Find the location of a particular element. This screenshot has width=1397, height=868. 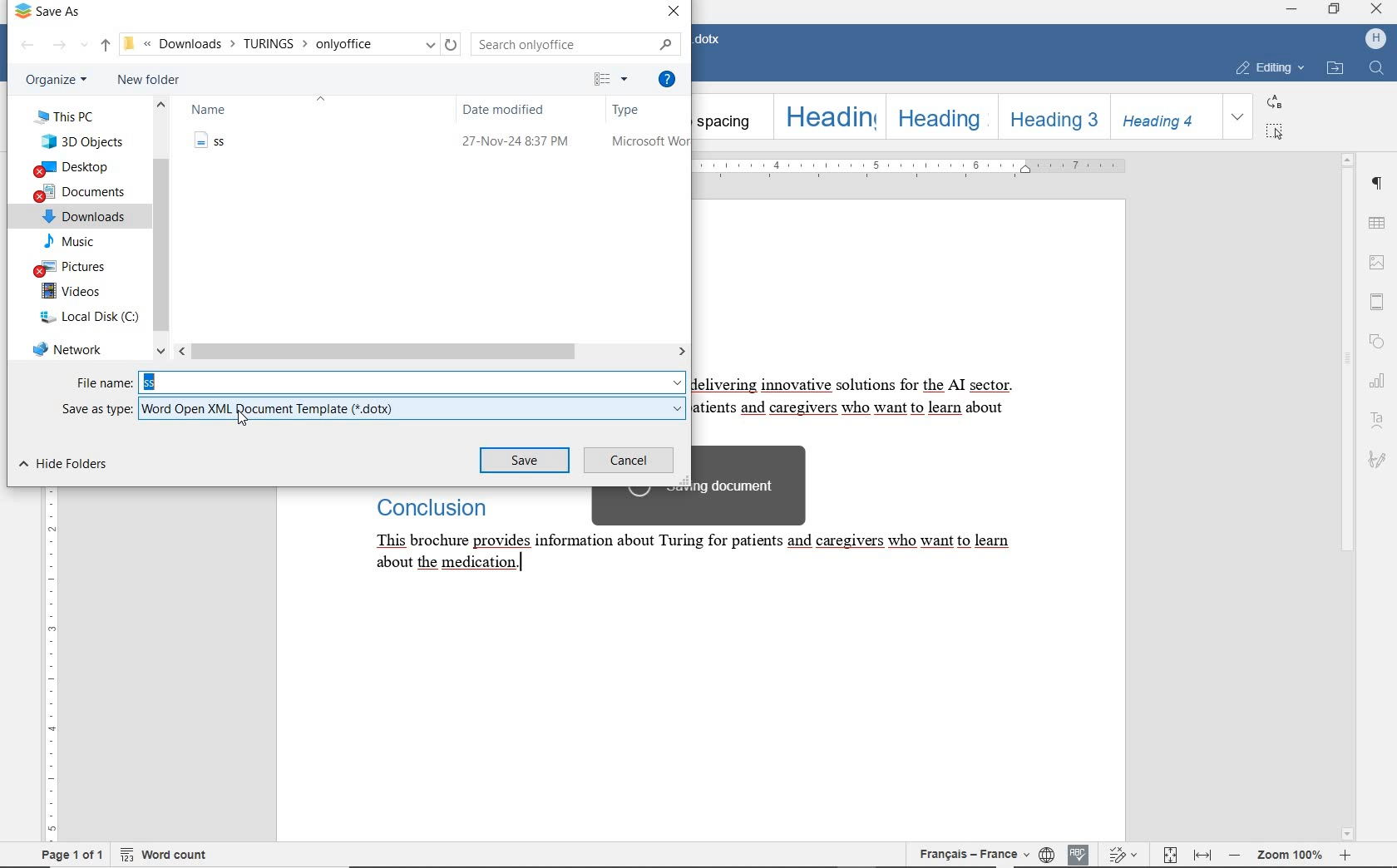

LOCAL DISK (C) is located at coordinates (87, 316).